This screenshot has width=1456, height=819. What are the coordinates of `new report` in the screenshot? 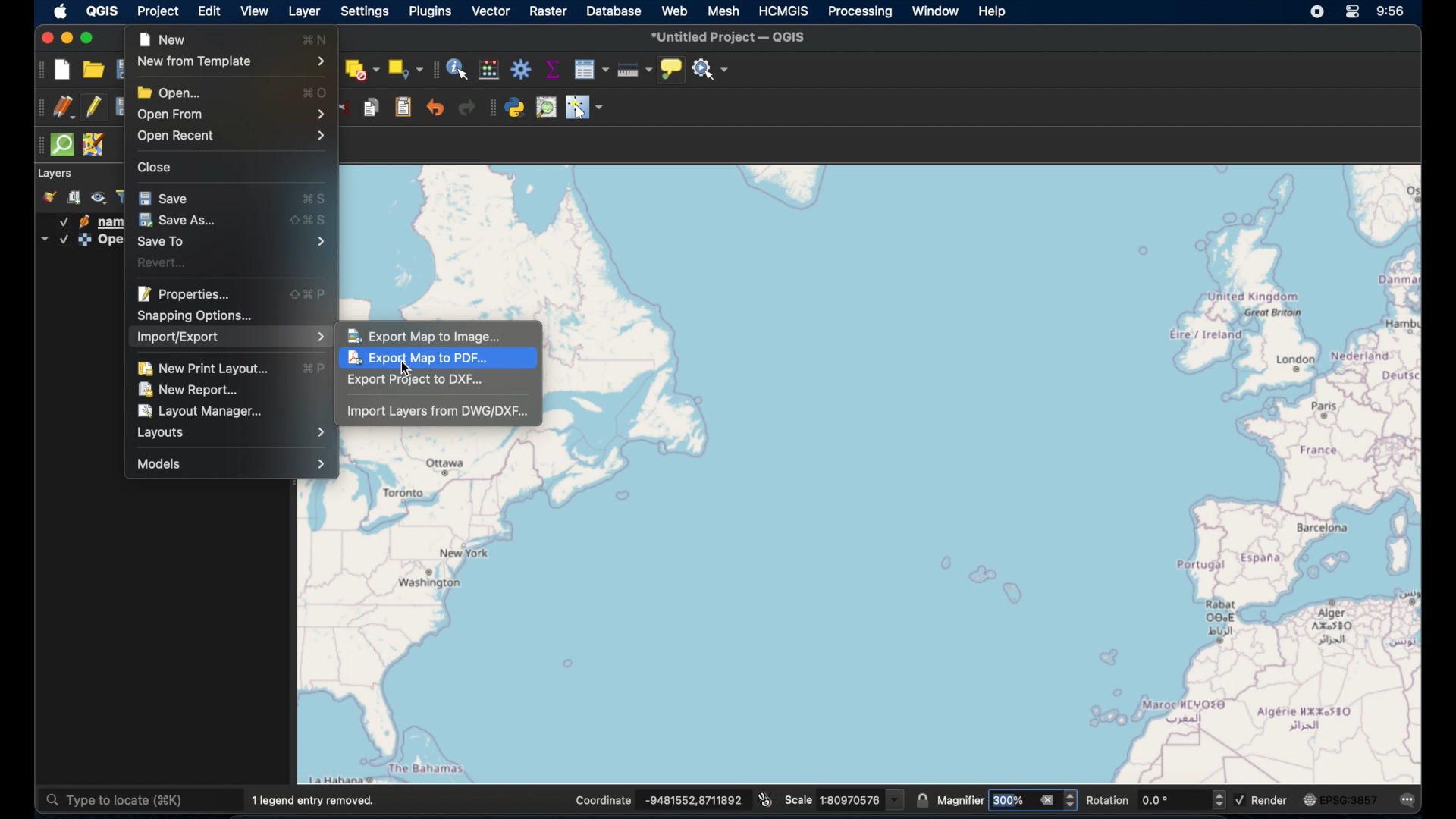 It's located at (191, 390).